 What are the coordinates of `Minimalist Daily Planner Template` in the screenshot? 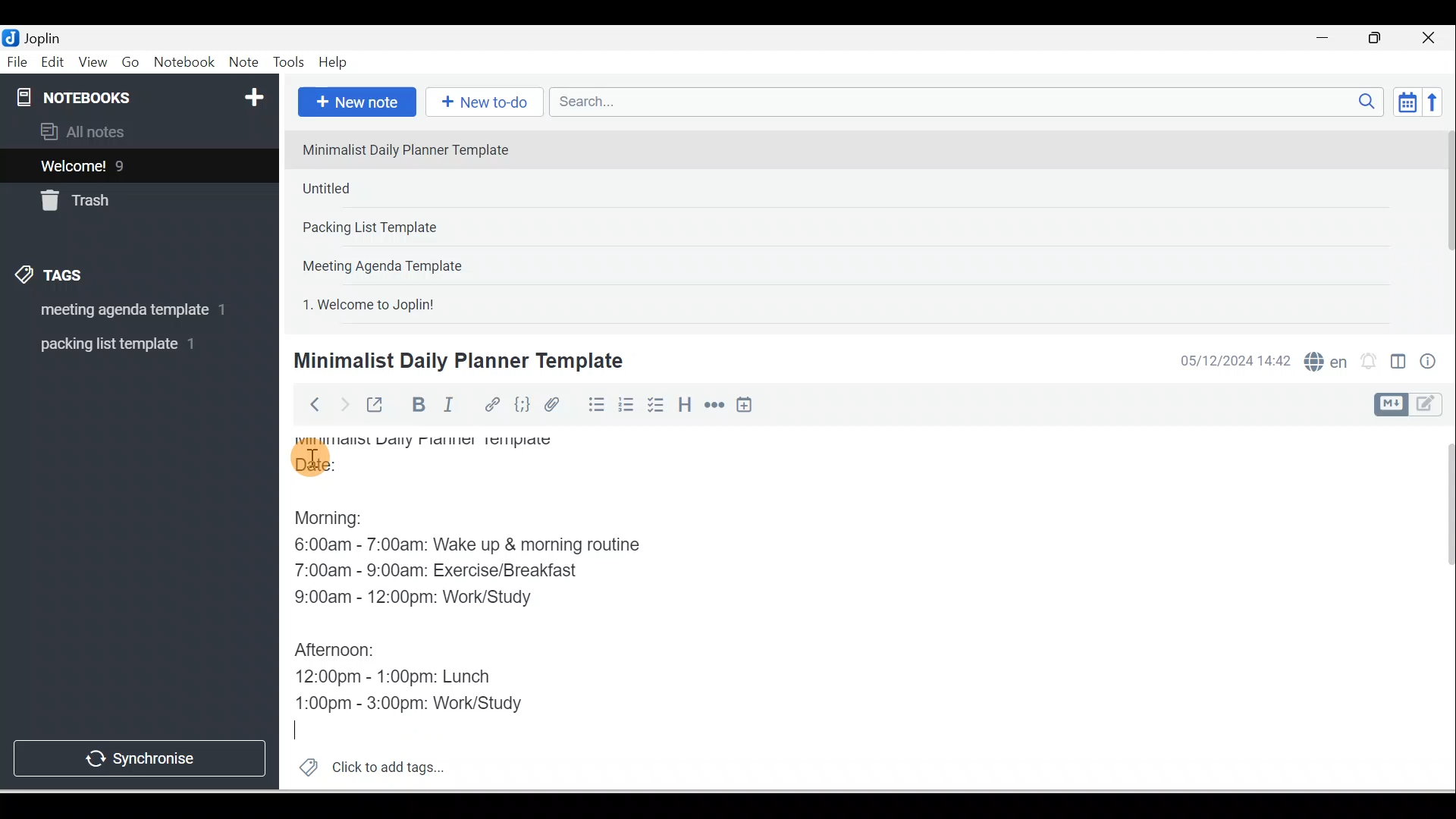 It's located at (438, 443).